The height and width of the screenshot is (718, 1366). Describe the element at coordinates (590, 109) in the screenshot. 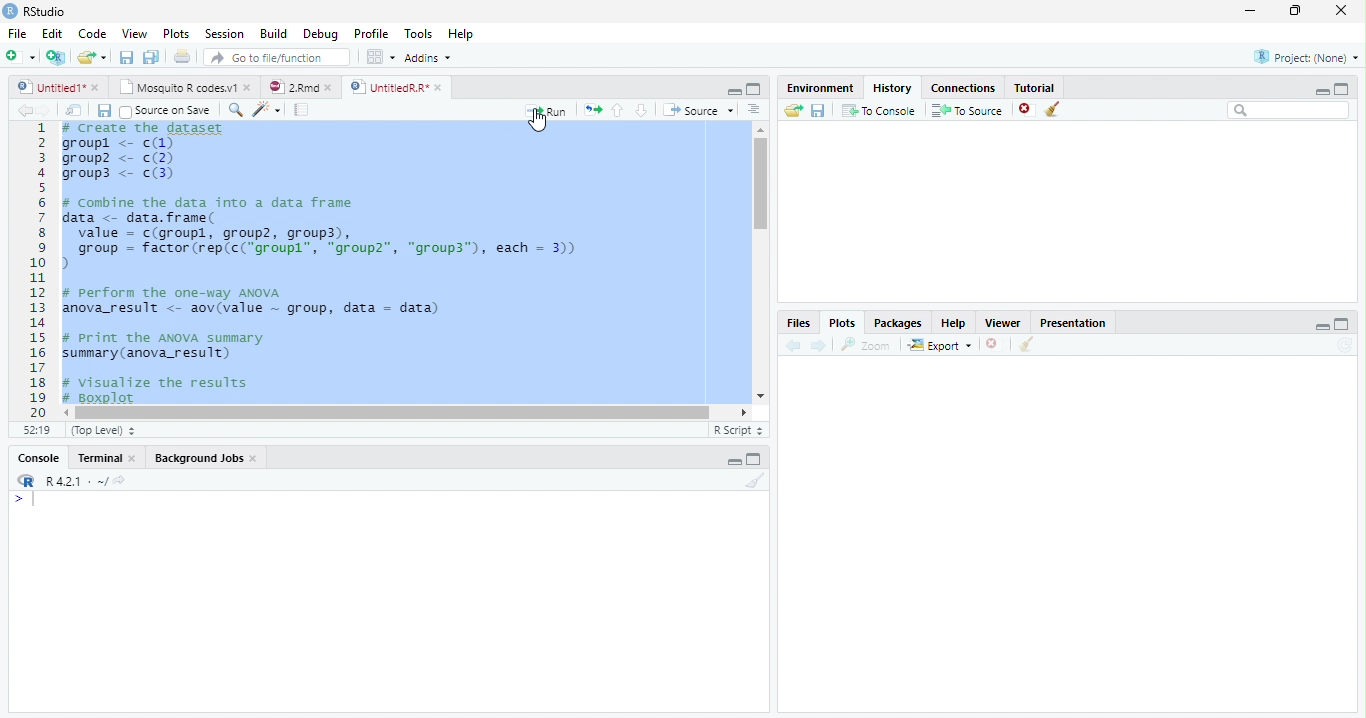

I see `Copy pages` at that location.